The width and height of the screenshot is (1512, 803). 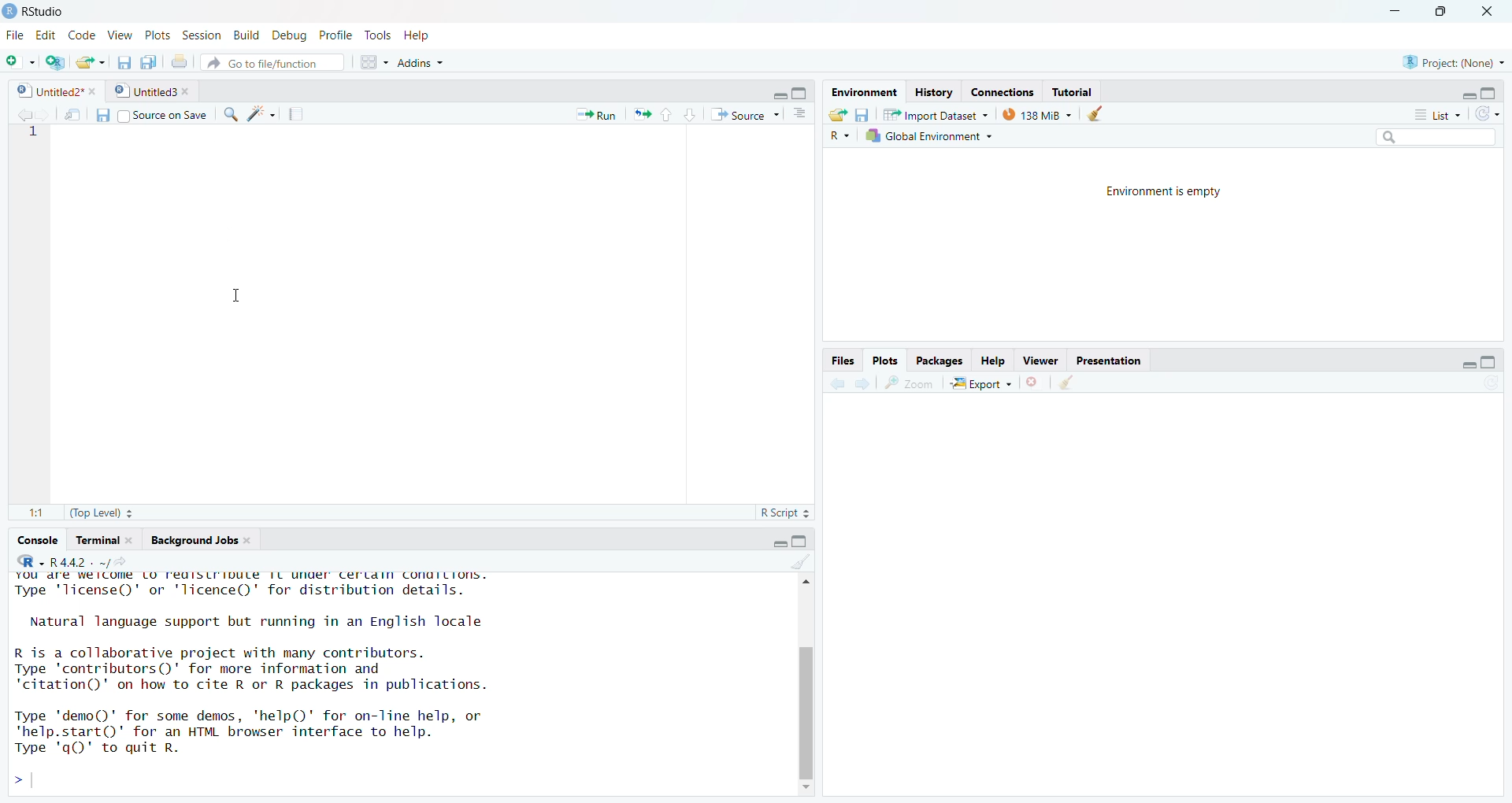 What do you see at coordinates (157, 33) in the screenshot?
I see `Plots` at bounding box center [157, 33].